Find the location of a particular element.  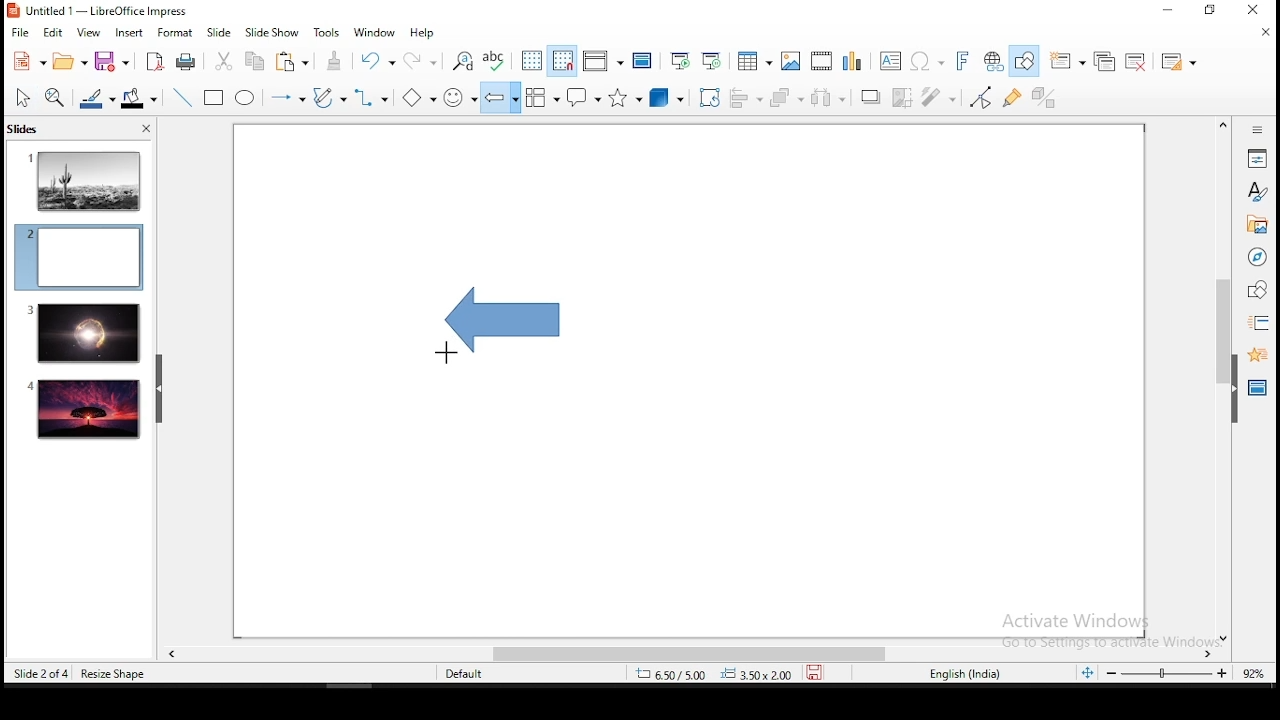

mouse pointer is located at coordinates (447, 351).